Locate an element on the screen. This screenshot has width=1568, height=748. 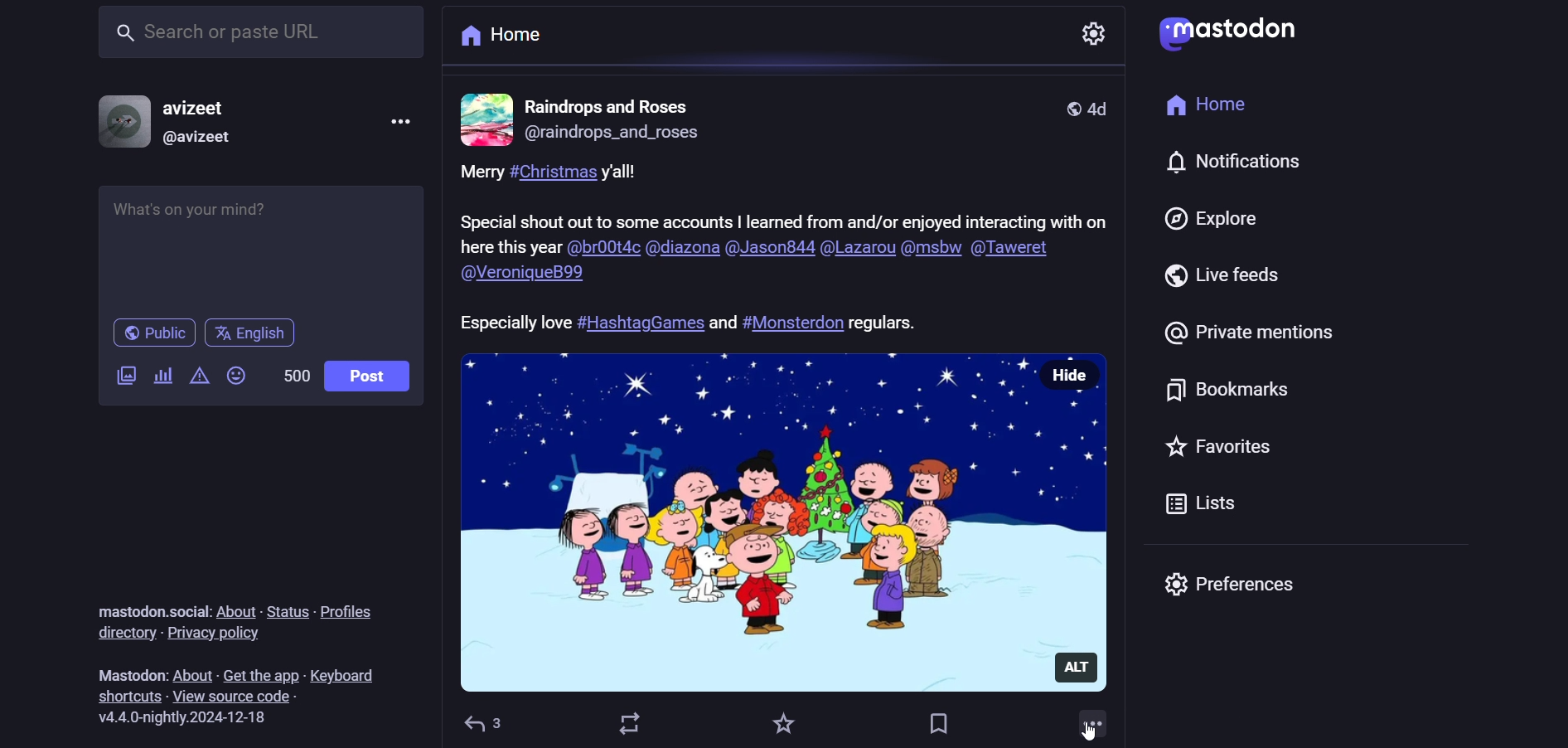
menu is located at coordinates (403, 119).